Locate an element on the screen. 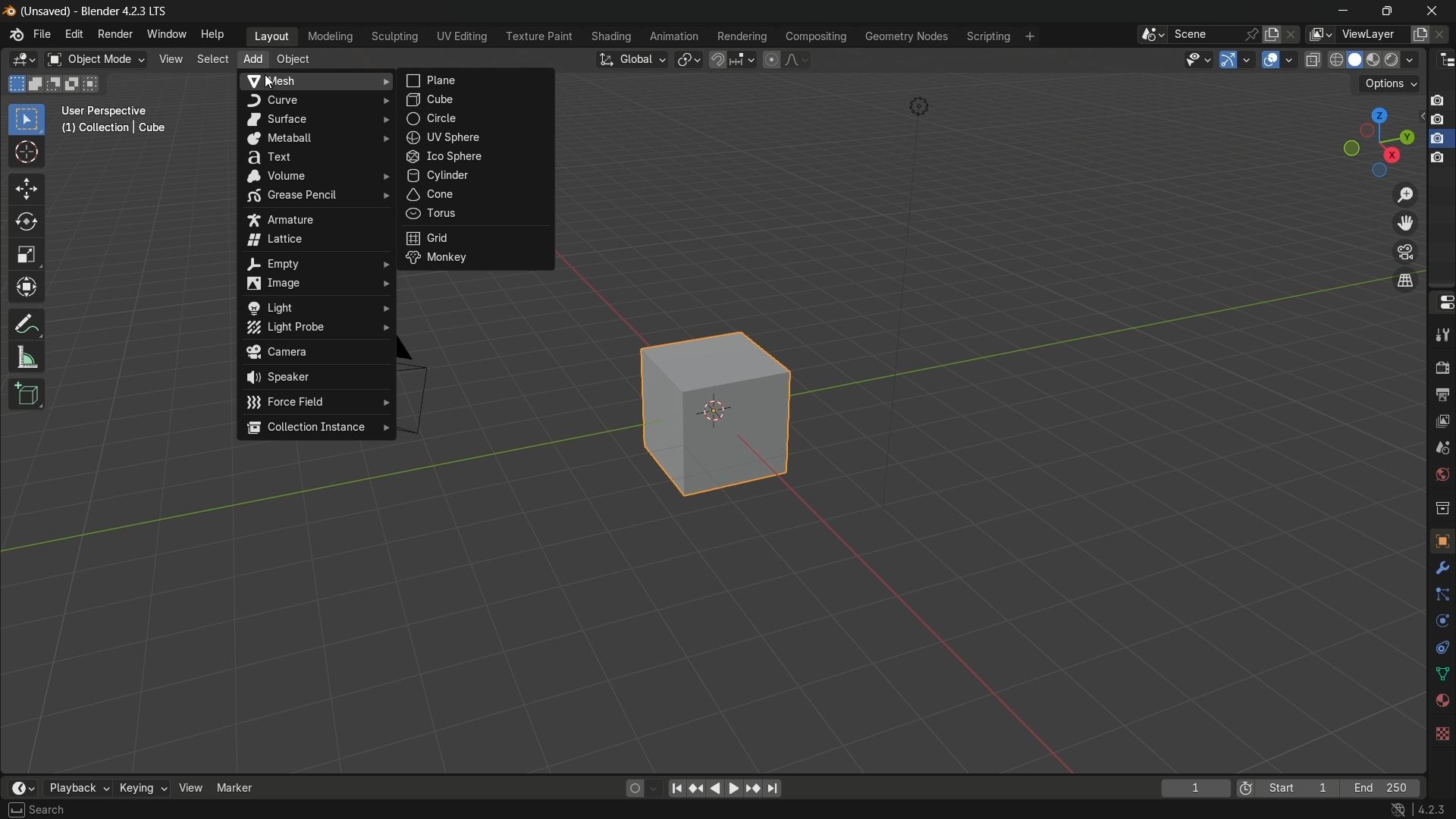  view is located at coordinates (1442, 424).